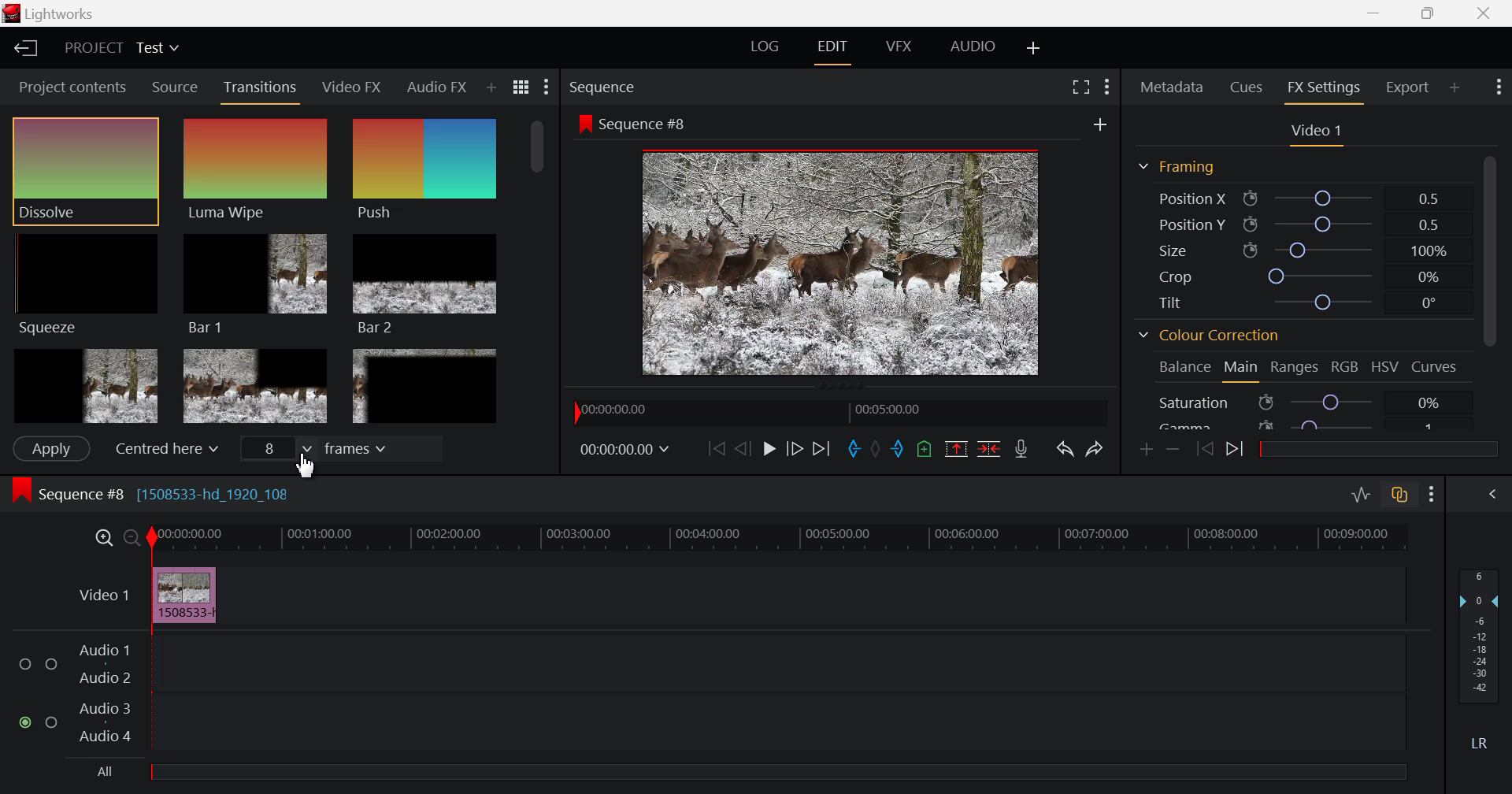 The width and height of the screenshot is (1512, 794). What do you see at coordinates (793, 450) in the screenshot?
I see `Go Forward` at bounding box center [793, 450].